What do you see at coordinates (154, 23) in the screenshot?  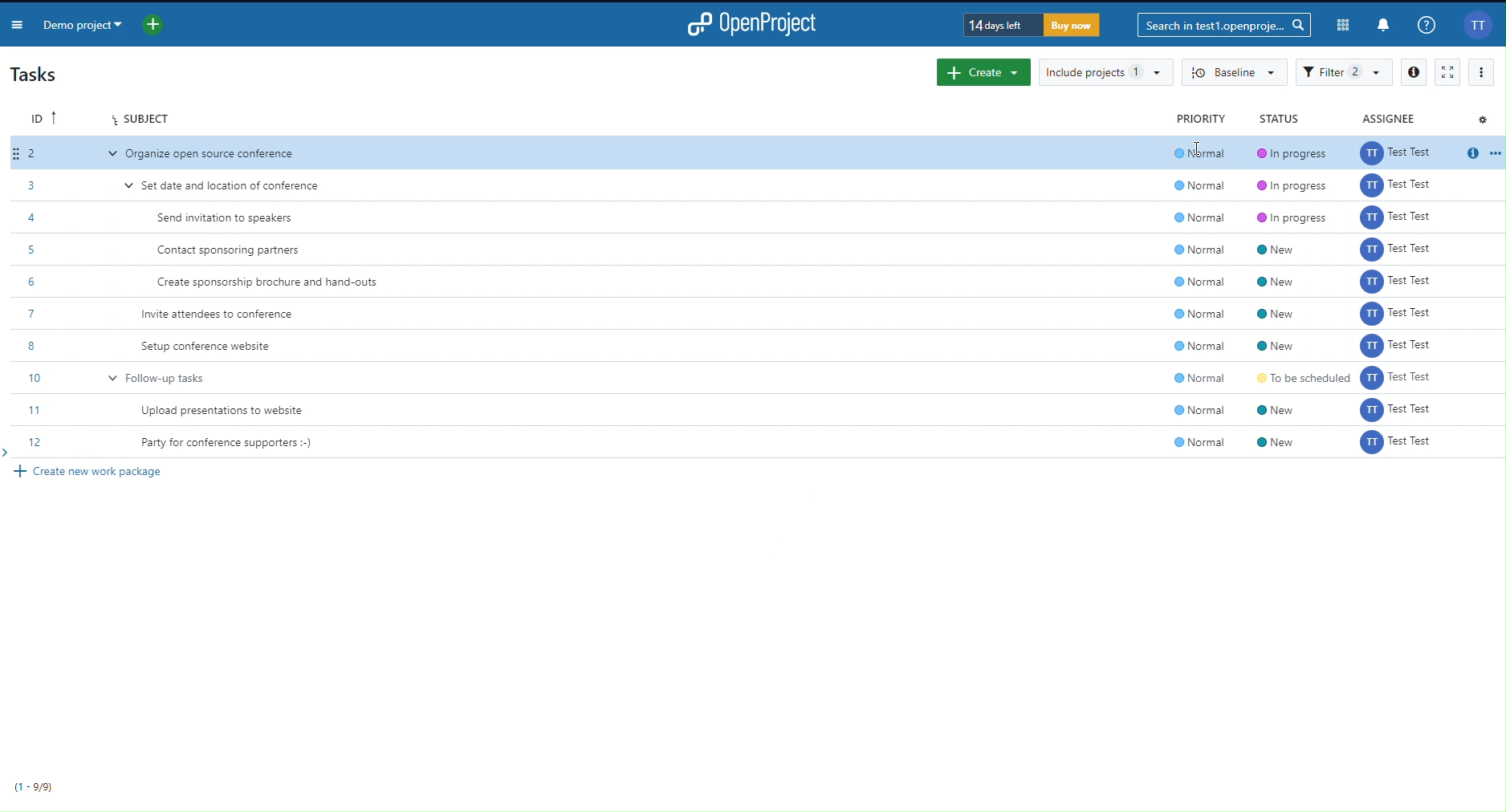 I see `New Project` at bounding box center [154, 23].